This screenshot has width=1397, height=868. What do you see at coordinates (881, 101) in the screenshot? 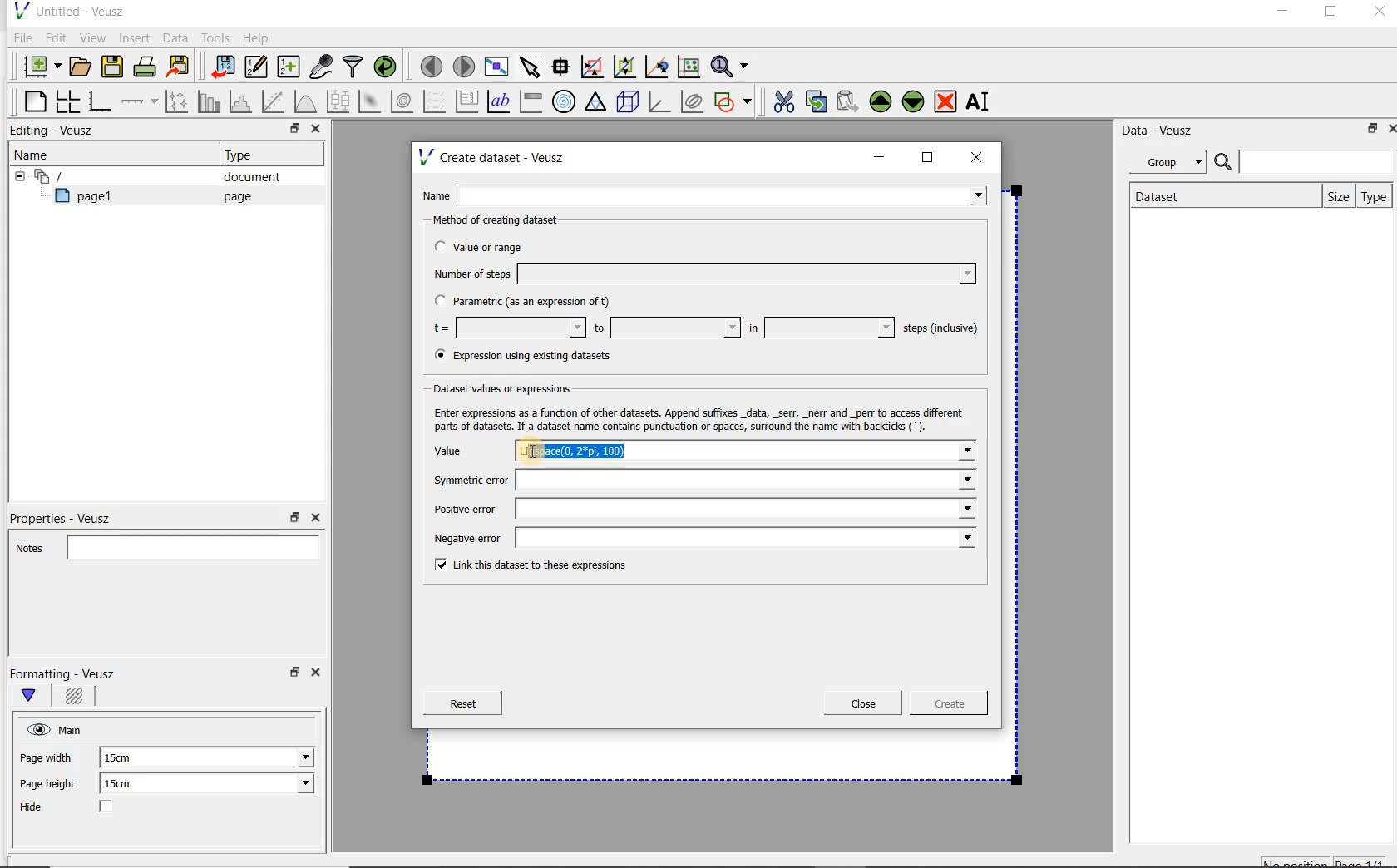
I see `Move the selected widget up` at bounding box center [881, 101].